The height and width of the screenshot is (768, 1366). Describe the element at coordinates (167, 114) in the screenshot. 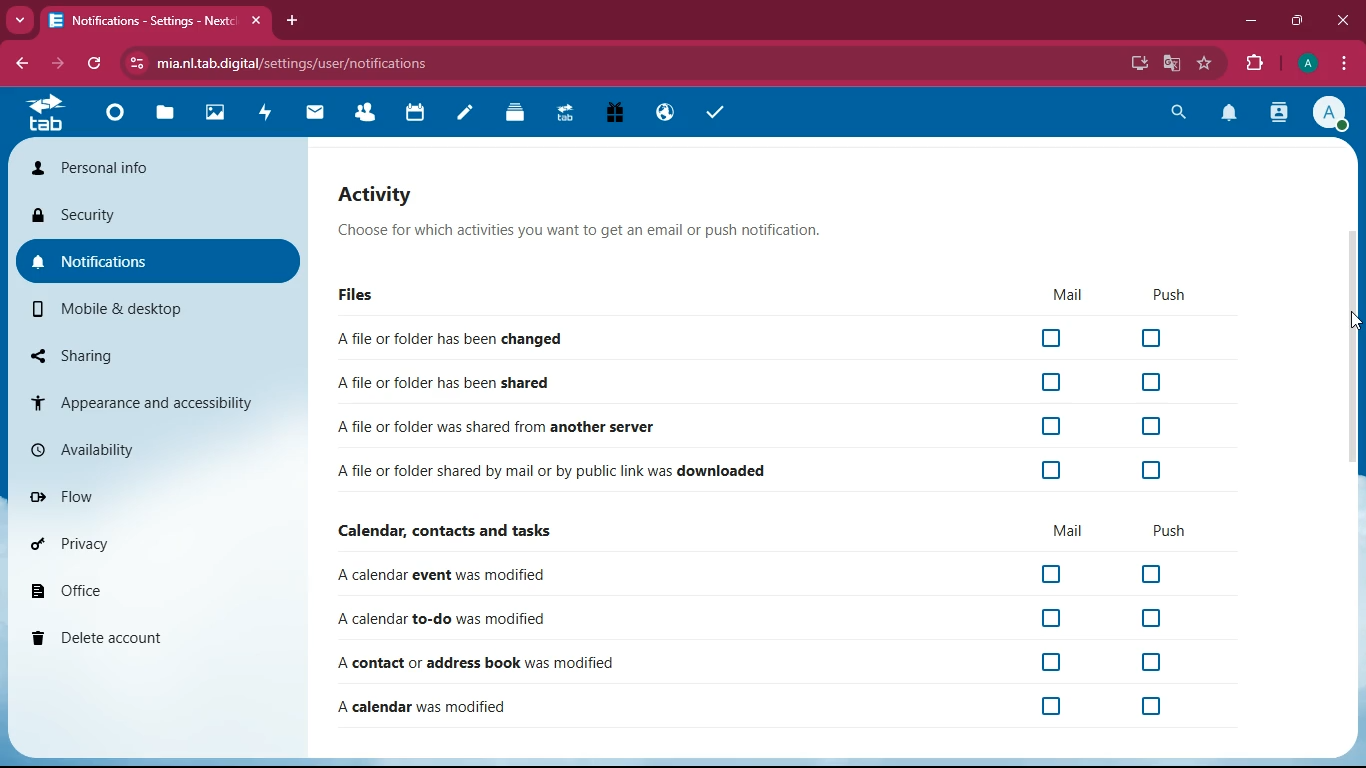

I see `files` at that location.